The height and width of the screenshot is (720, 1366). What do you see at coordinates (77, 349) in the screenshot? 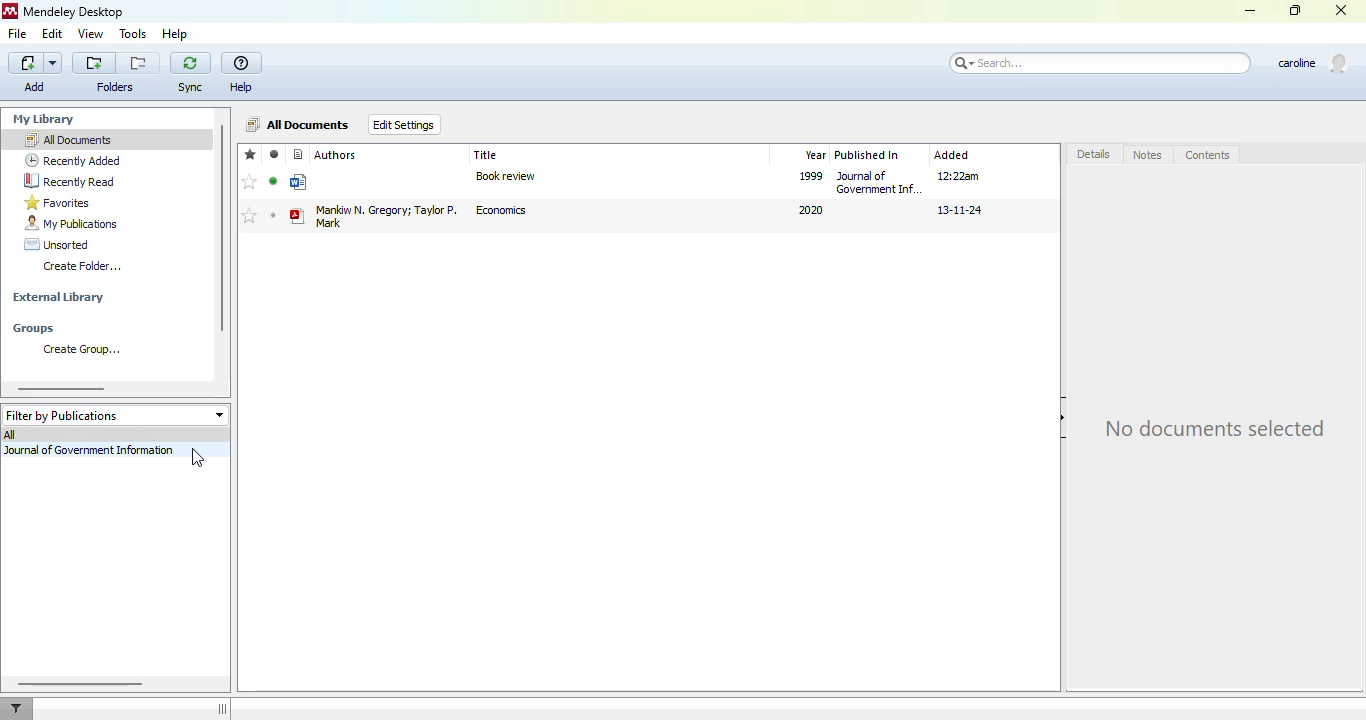
I see `create group` at bounding box center [77, 349].